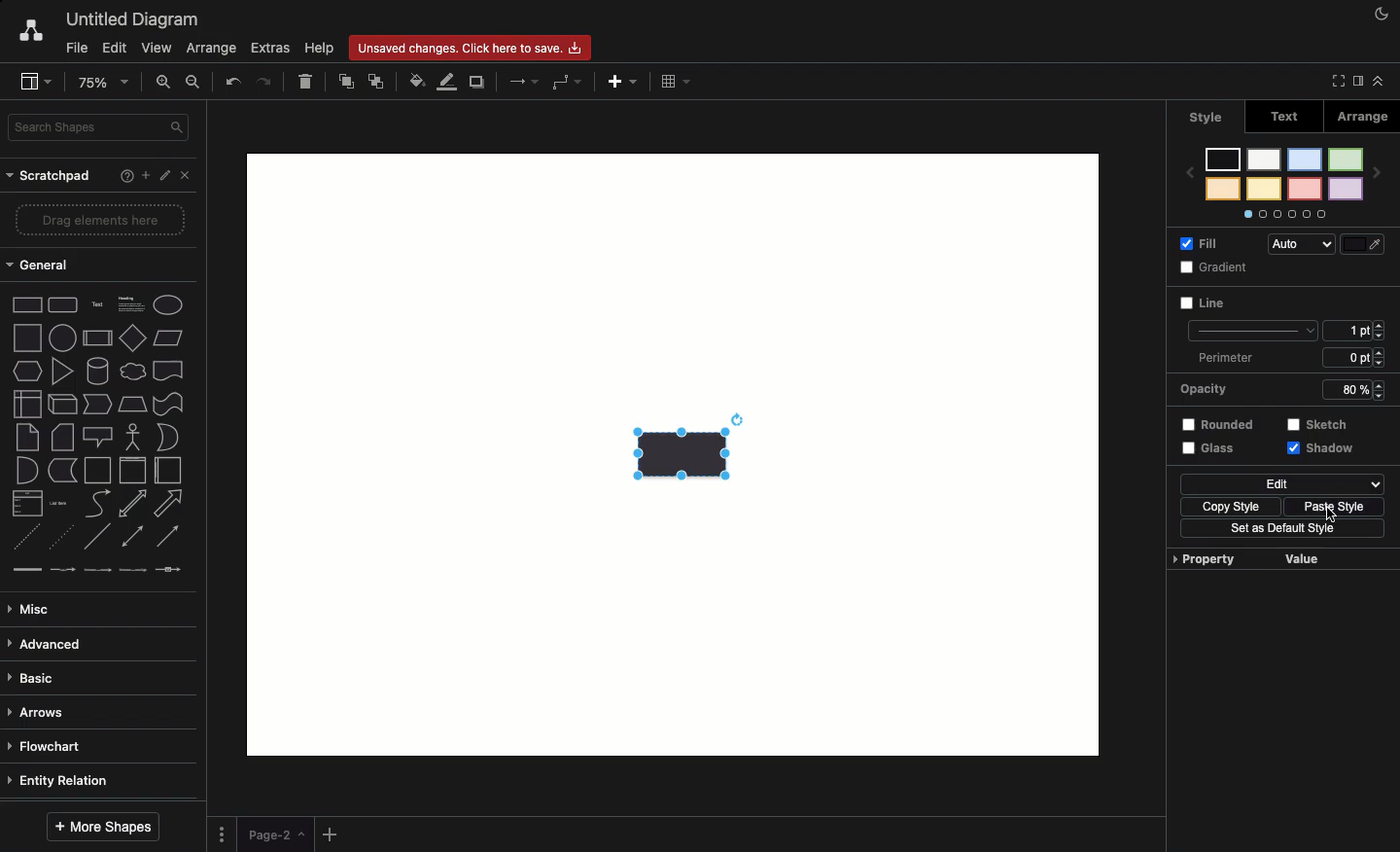 The width and height of the screenshot is (1400, 852). What do you see at coordinates (172, 437) in the screenshot?
I see `or` at bounding box center [172, 437].